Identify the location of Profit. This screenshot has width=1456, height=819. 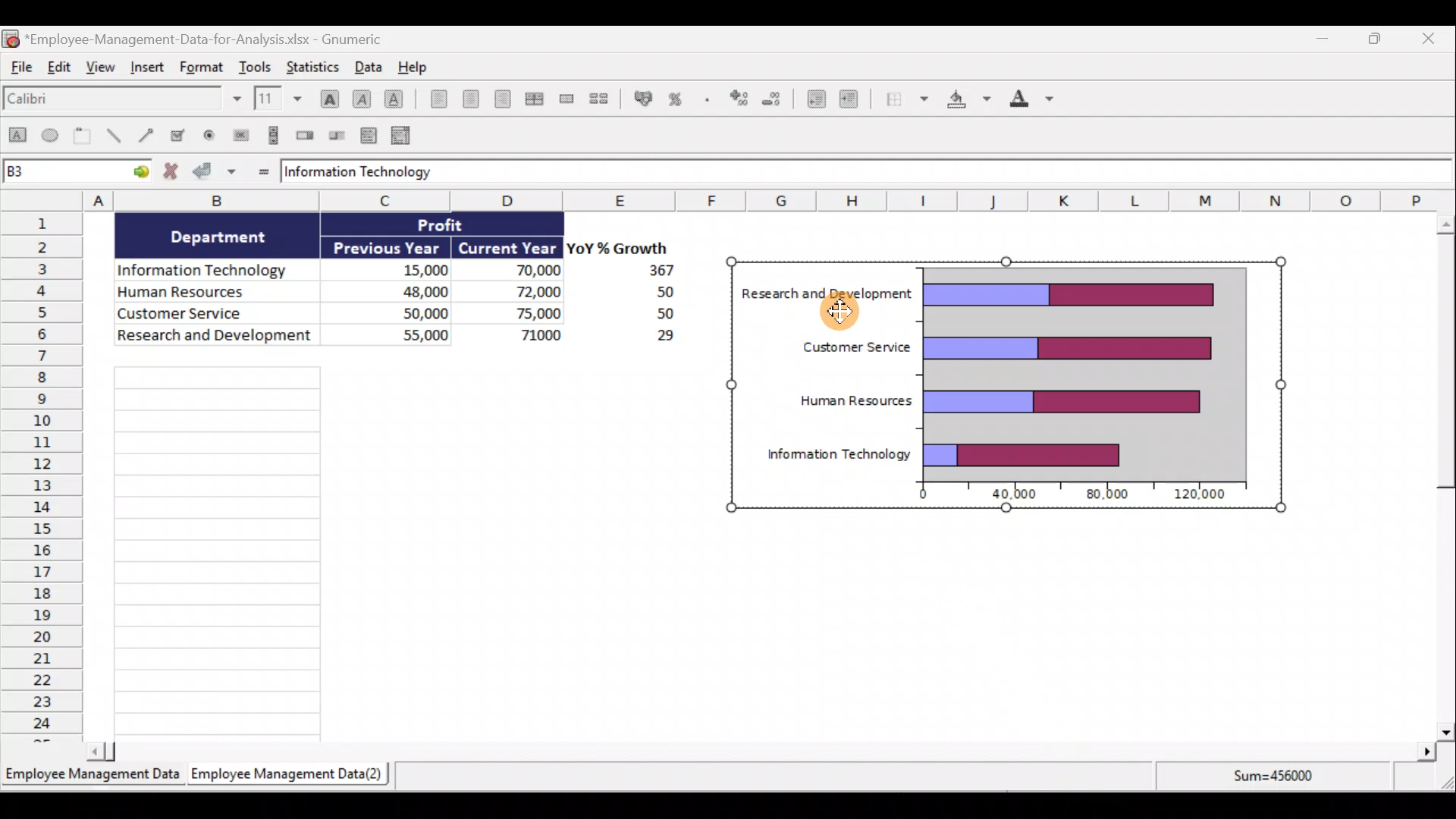
(453, 227).